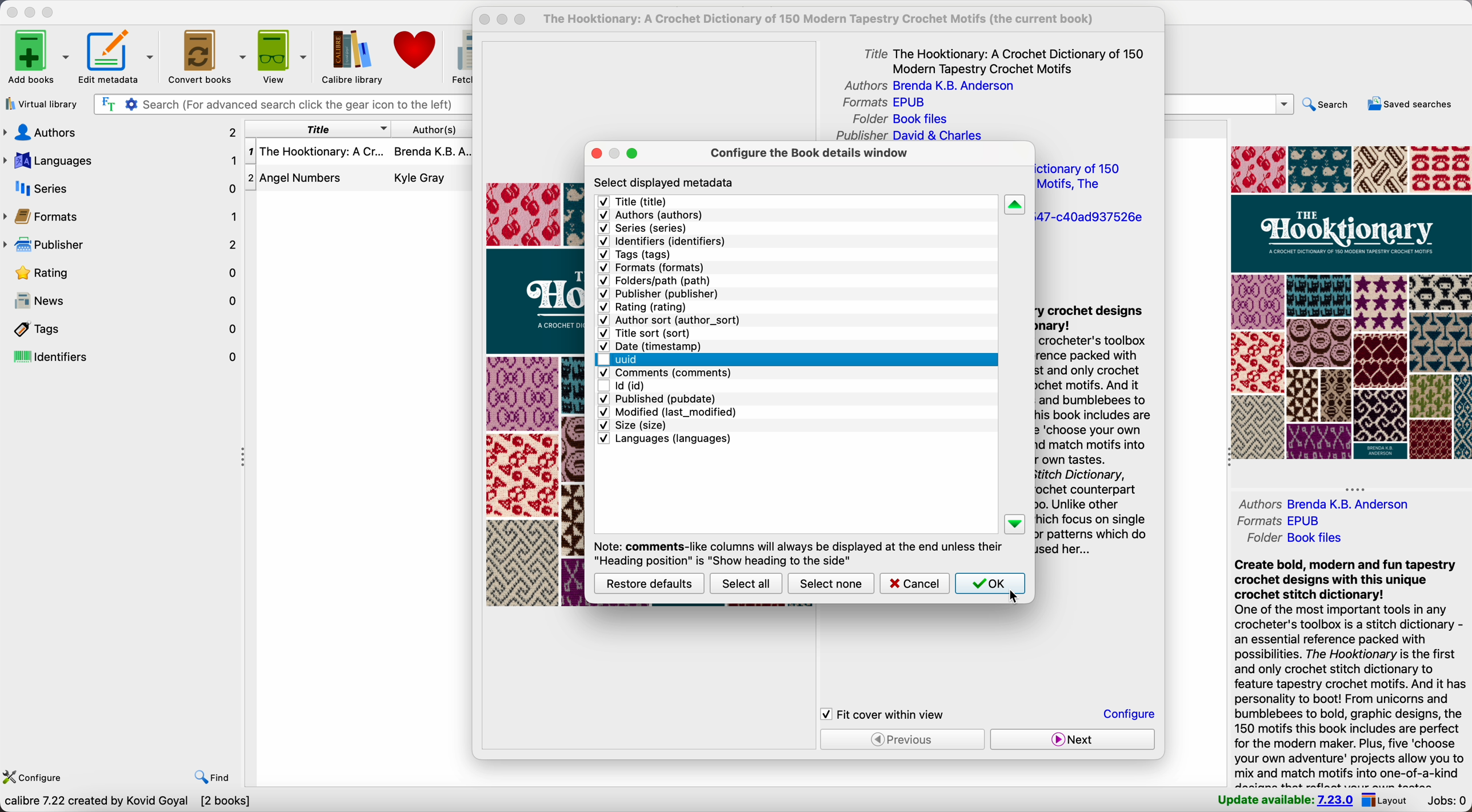 Image resolution: width=1472 pixels, height=812 pixels. I want to click on maximize, so click(632, 153).